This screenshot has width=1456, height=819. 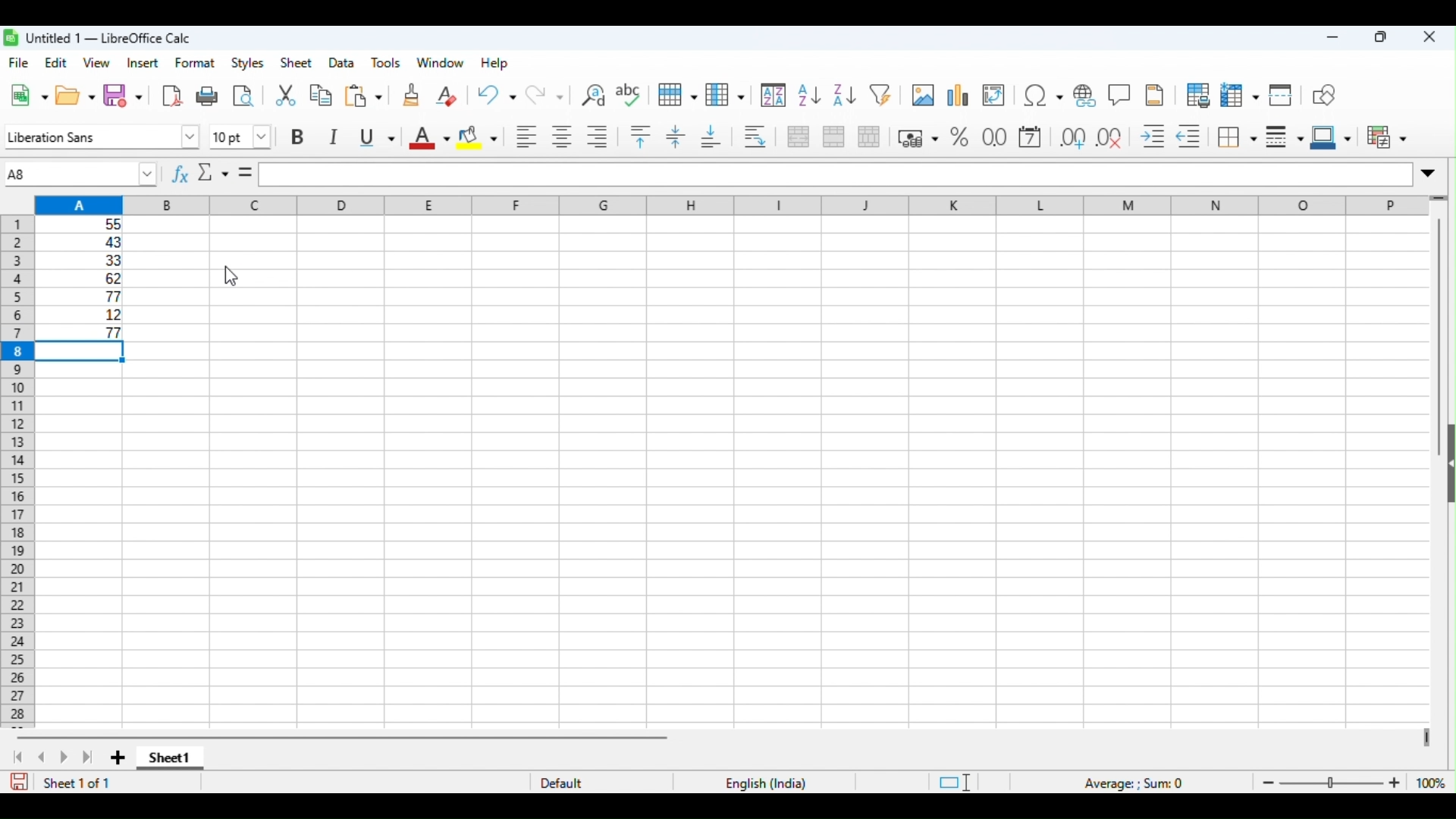 What do you see at coordinates (81, 268) in the screenshot?
I see `range of cells` at bounding box center [81, 268].